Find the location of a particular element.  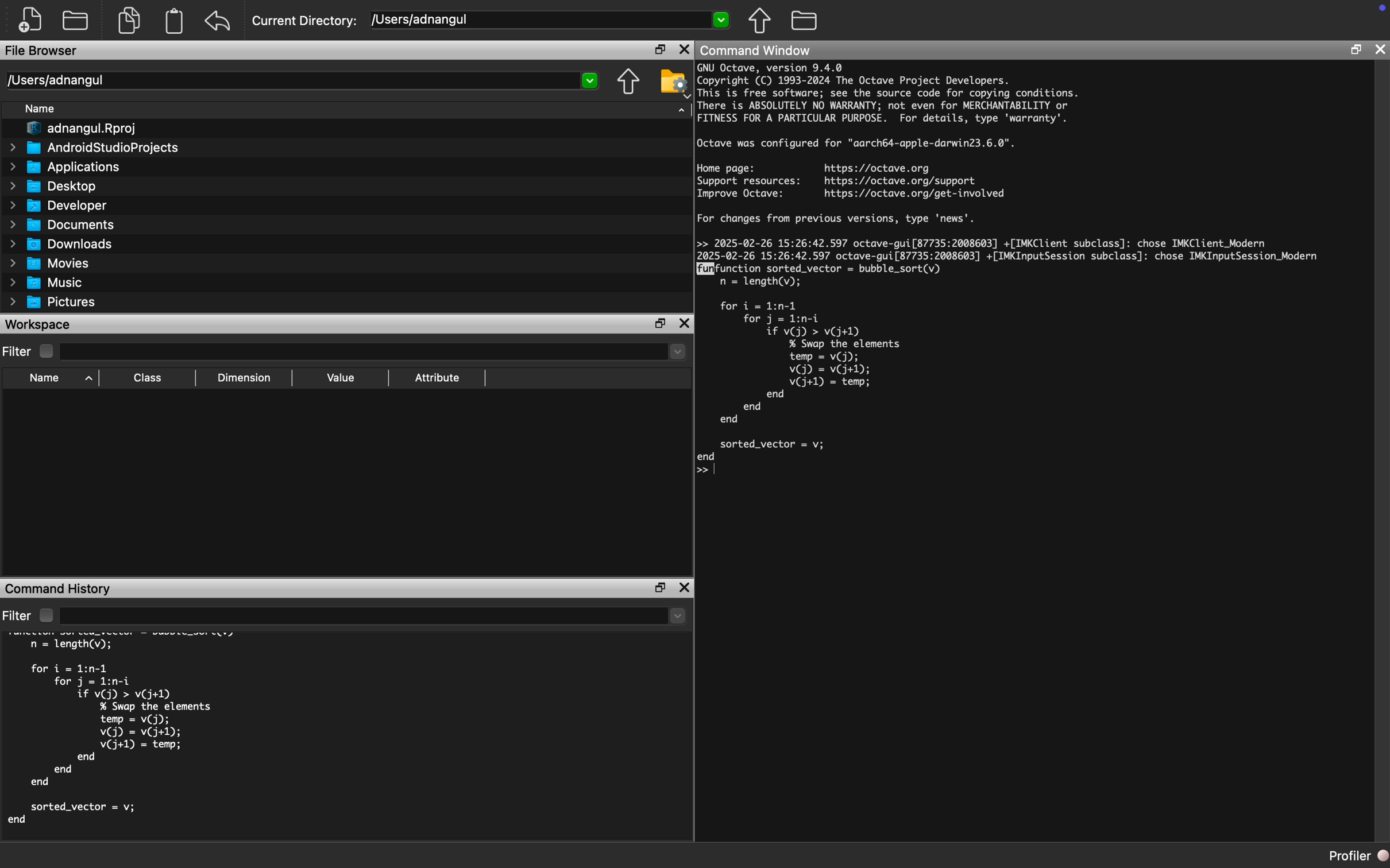

Add file is located at coordinates (34, 21).